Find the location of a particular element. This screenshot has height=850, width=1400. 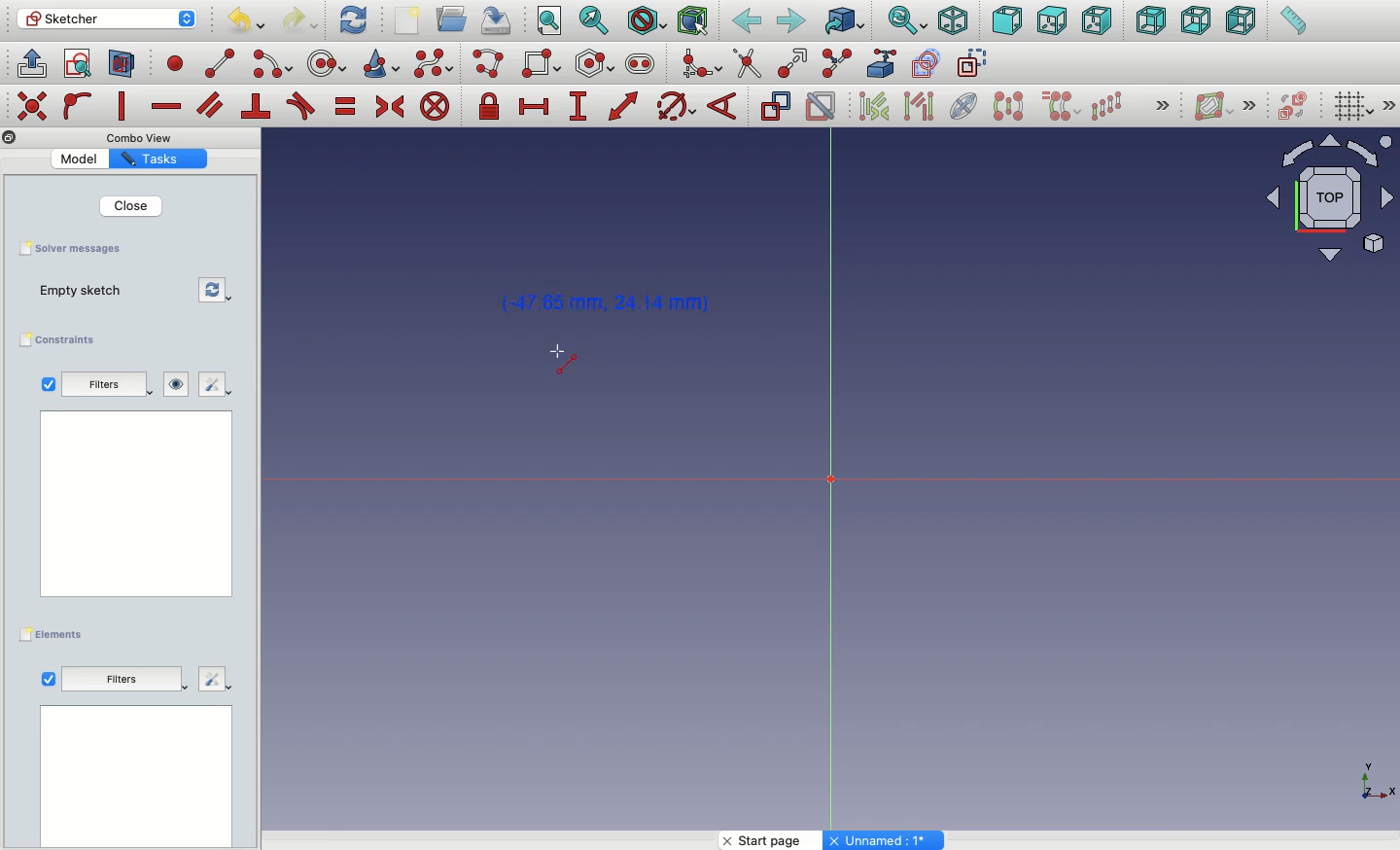

carbon copy is located at coordinates (929, 64).